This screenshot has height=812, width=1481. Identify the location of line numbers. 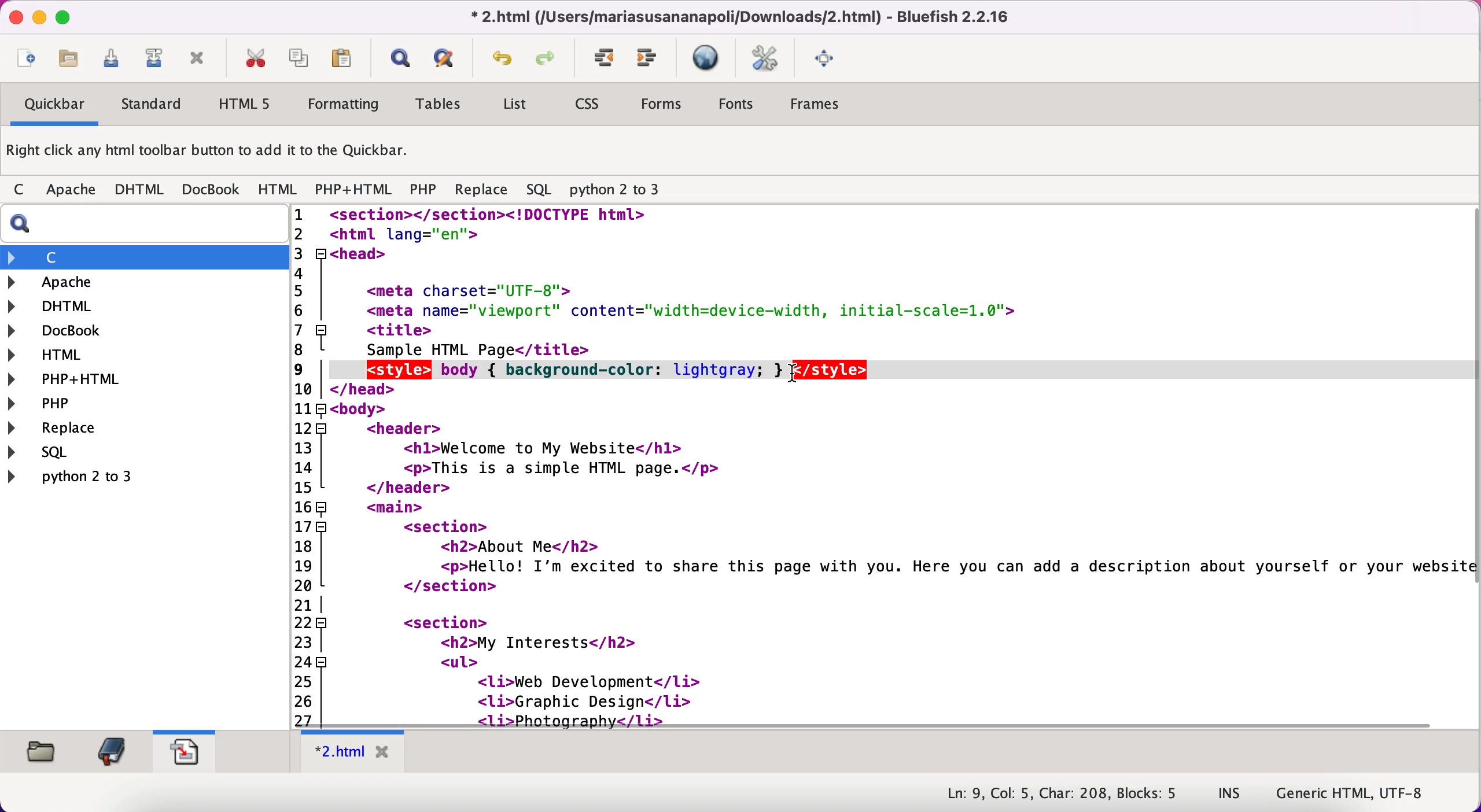
(309, 466).